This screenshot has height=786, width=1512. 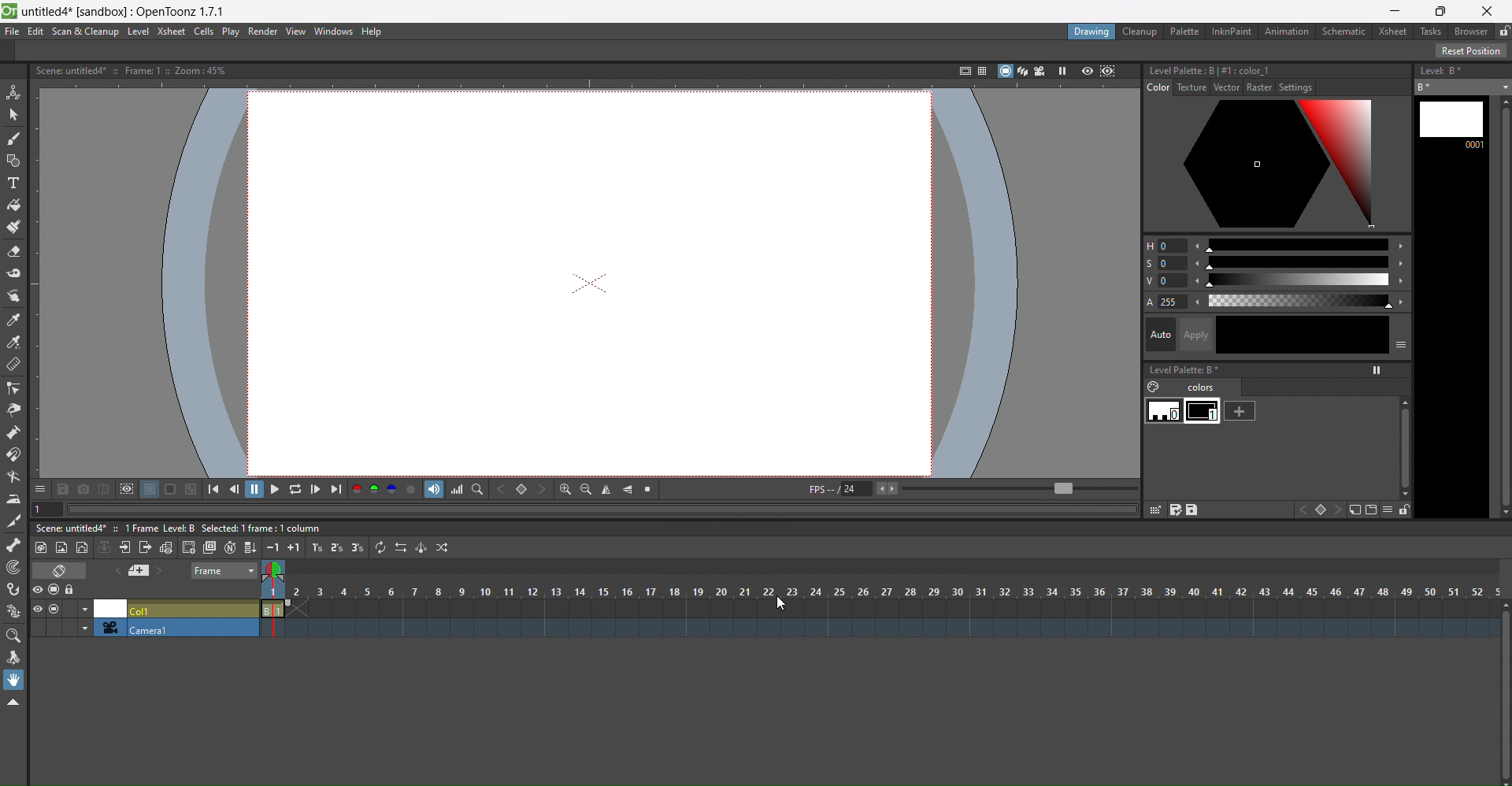 What do you see at coordinates (14, 589) in the screenshot?
I see `hook tool` at bounding box center [14, 589].